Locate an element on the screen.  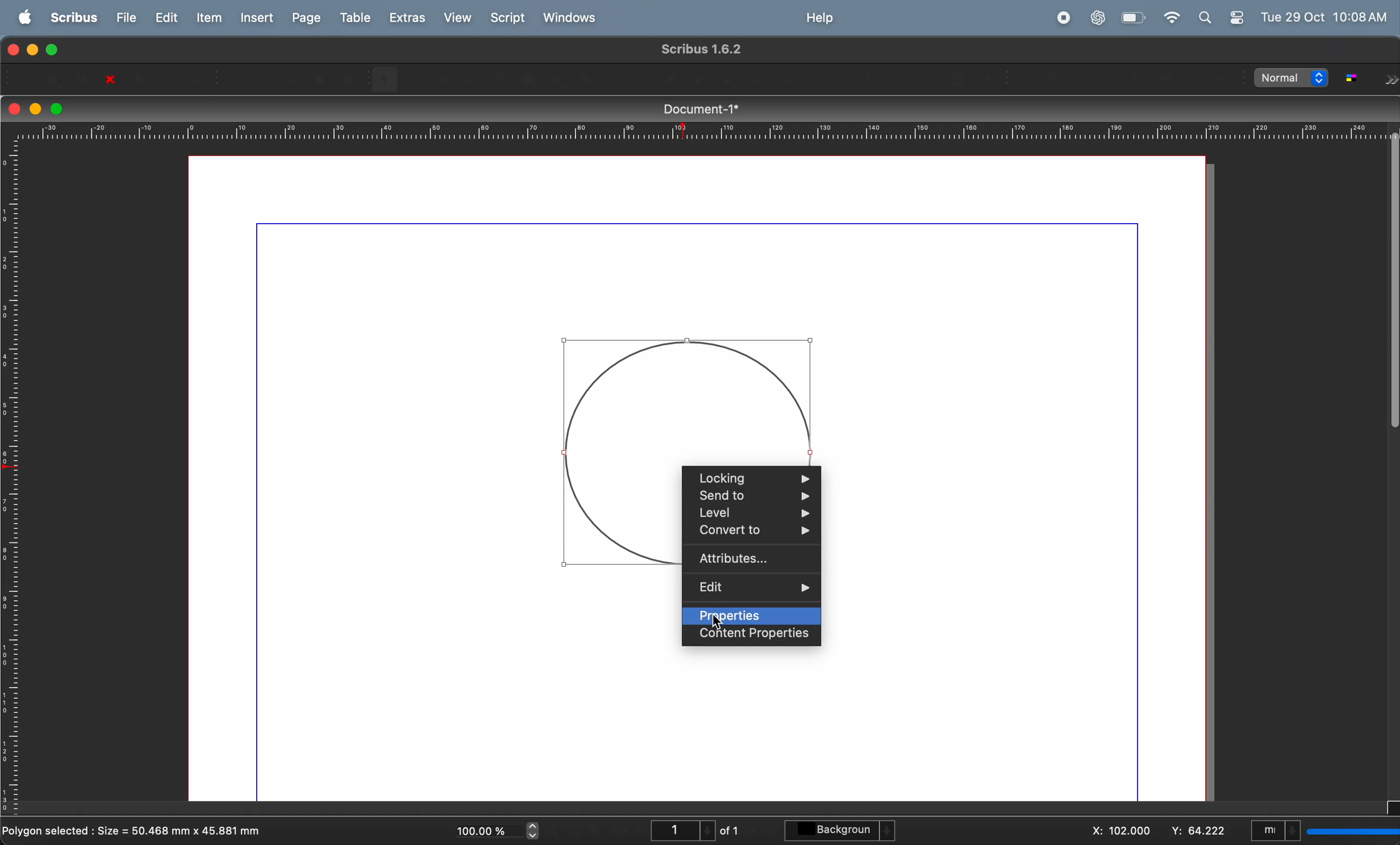
scribble version is located at coordinates (699, 49).